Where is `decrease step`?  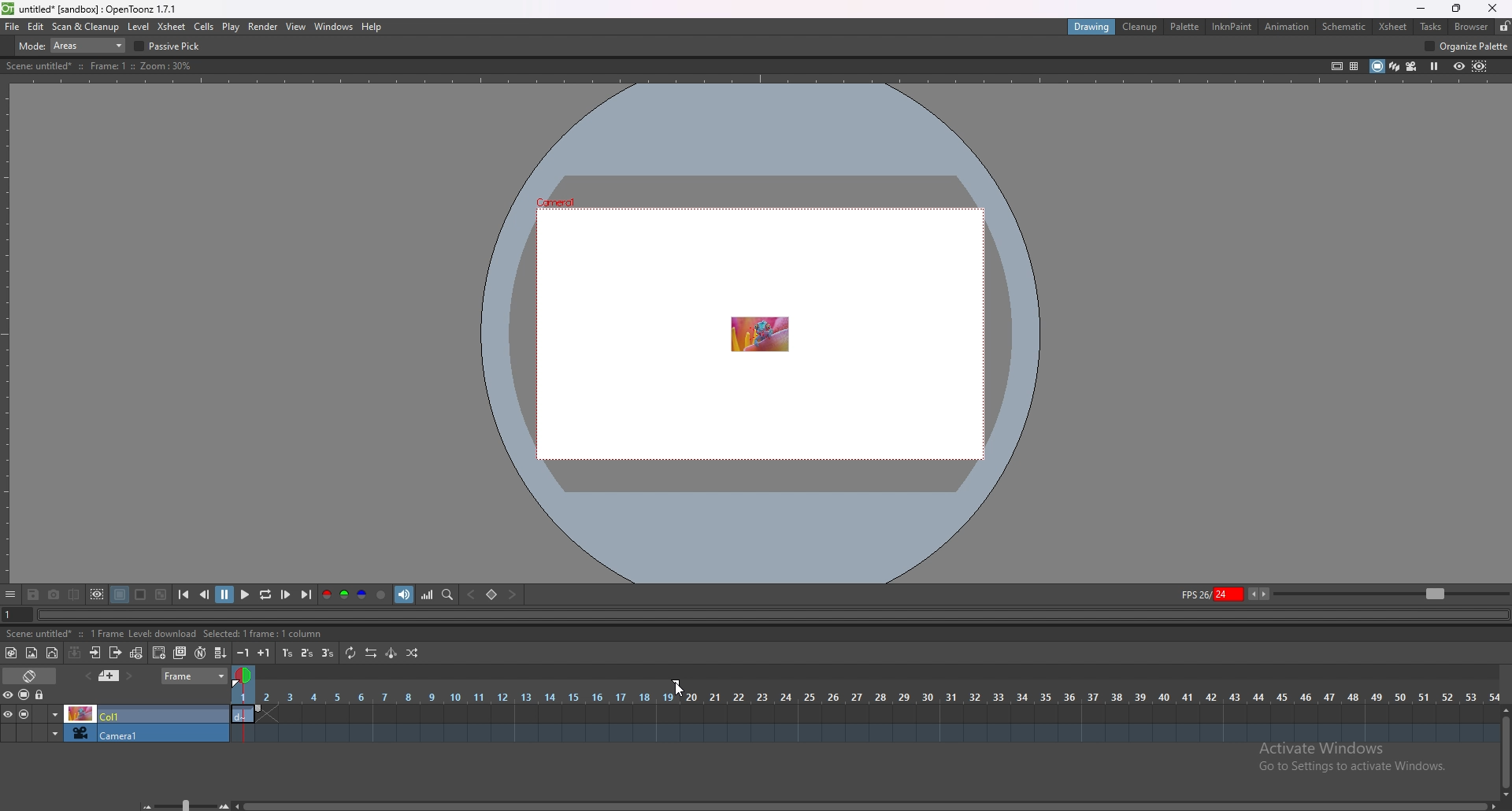 decrease step is located at coordinates (243, 653).